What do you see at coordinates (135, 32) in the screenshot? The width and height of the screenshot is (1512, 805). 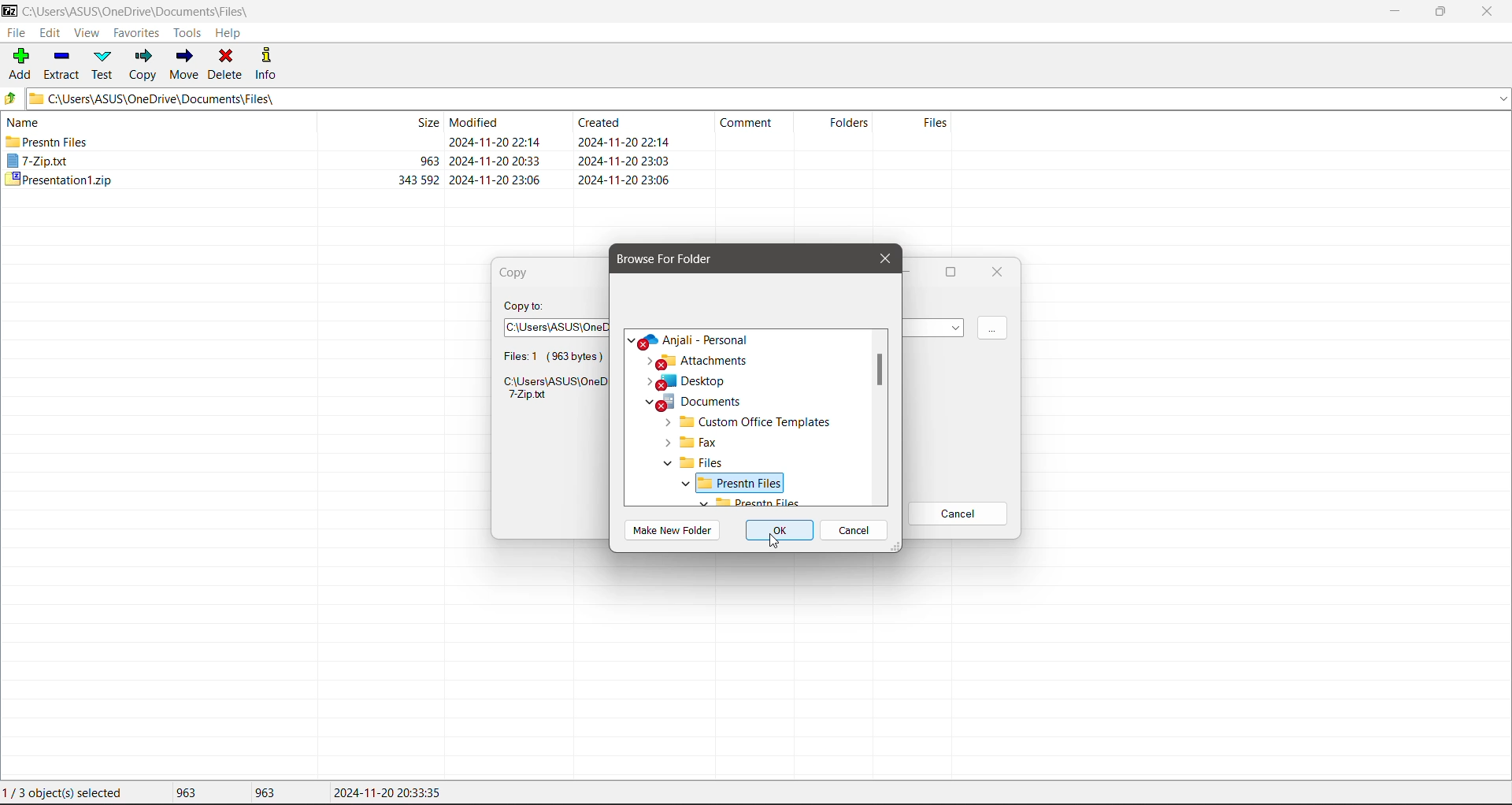 I see `Favorites` at bounding box center [135, 32].